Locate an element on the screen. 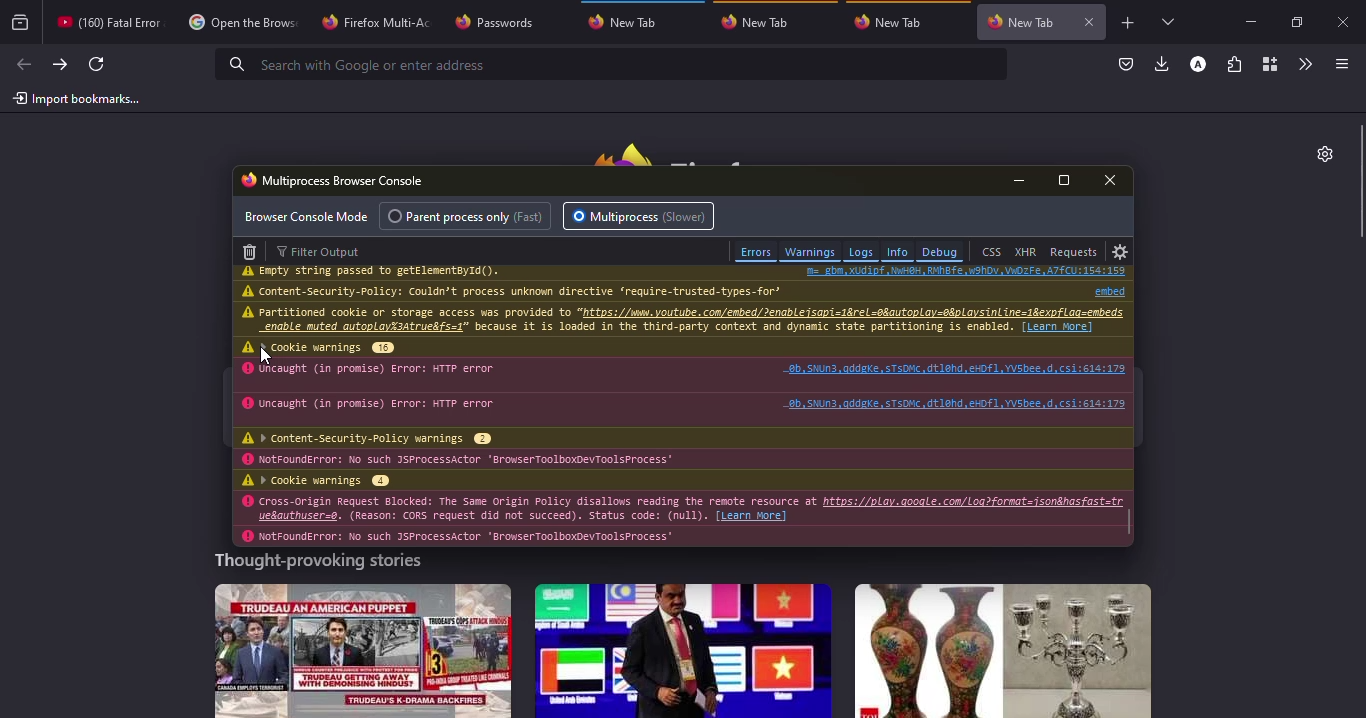 Image resolution: width=1366 pixels, height=718 pixels. search is located at coordinates (357, 64).